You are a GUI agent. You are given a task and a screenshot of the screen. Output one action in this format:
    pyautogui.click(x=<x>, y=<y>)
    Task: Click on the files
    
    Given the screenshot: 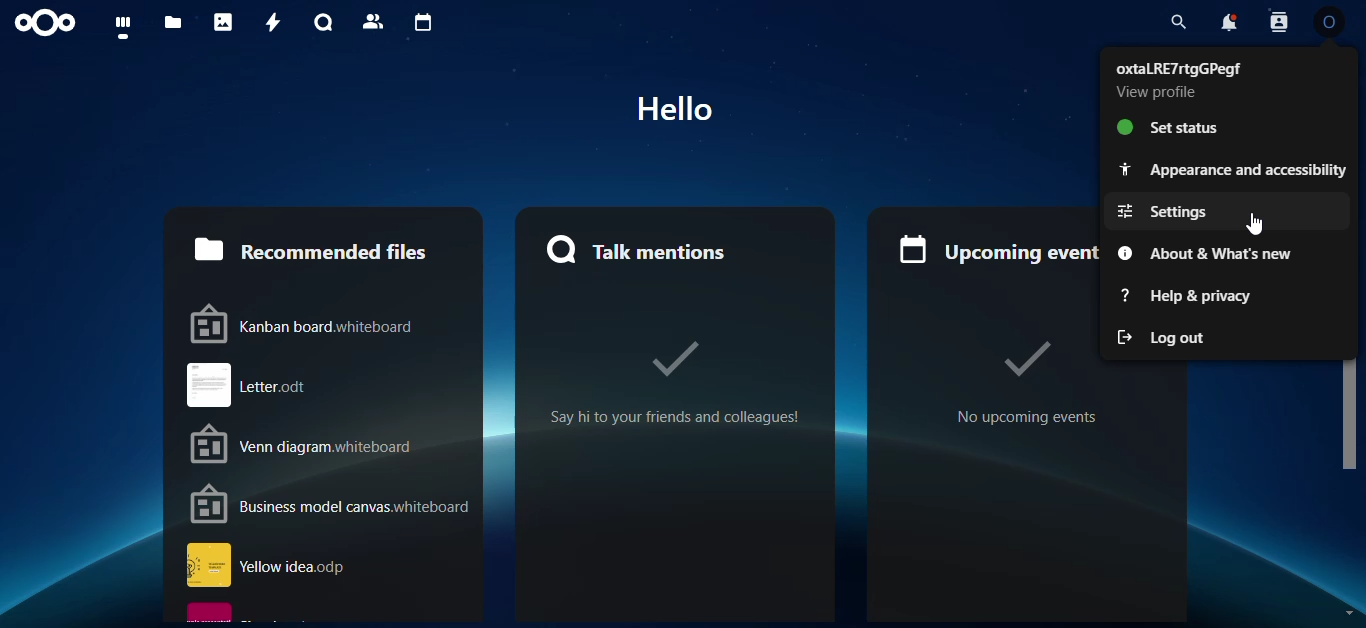 What is the action you would take?
    pyautogui.click(x=169, y=24)
    